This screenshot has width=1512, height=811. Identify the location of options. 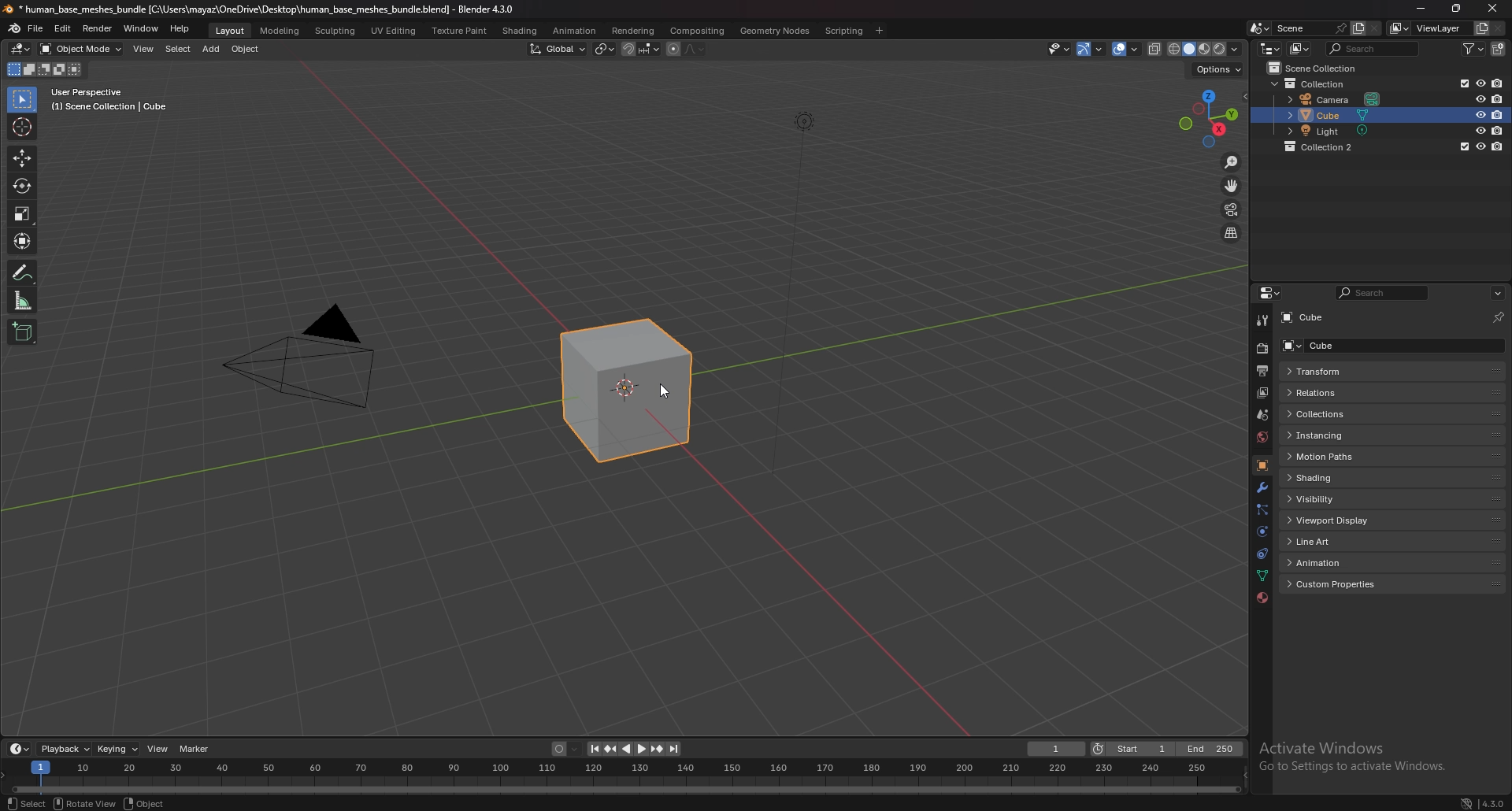
(1218, 68).